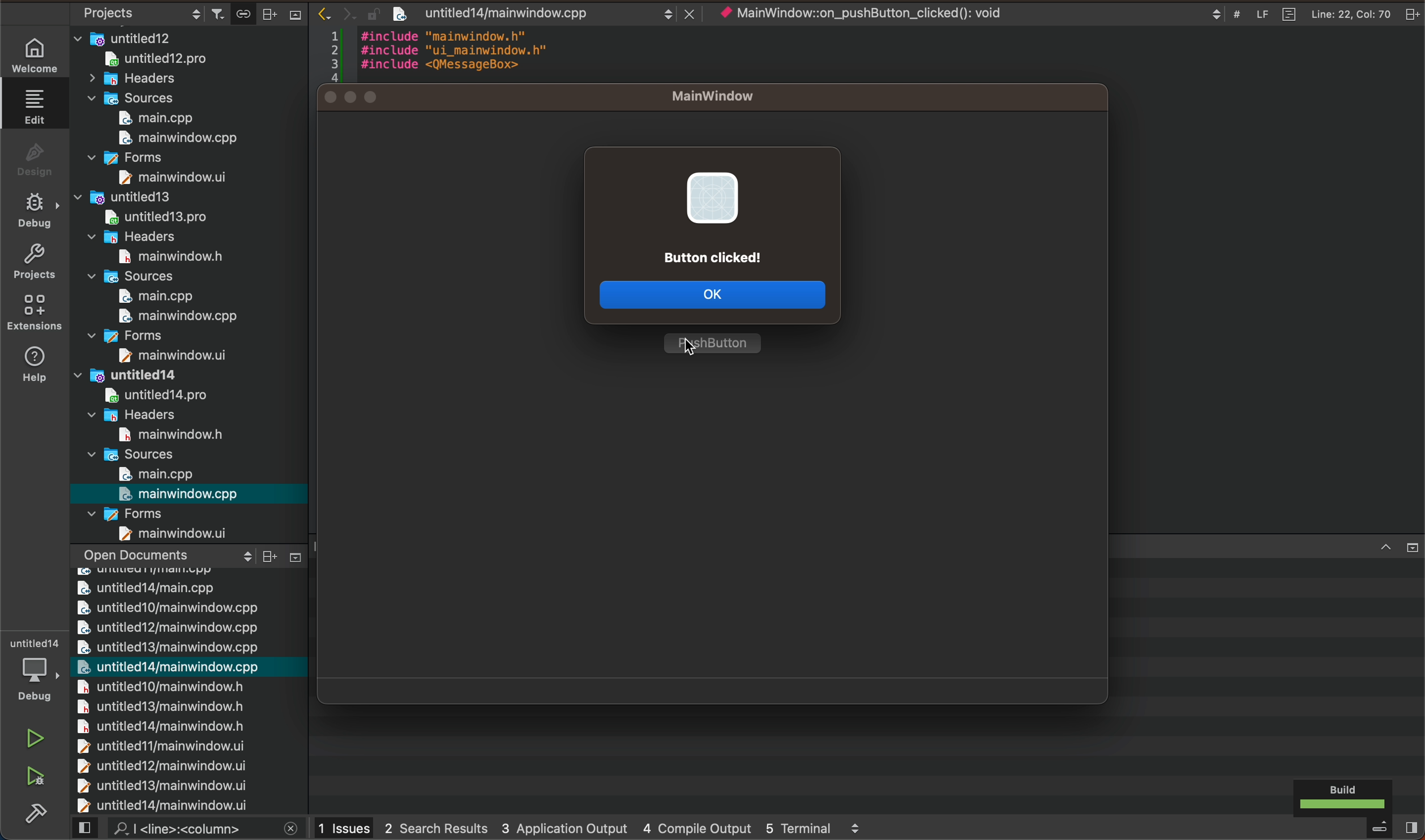 This screenshot has height=840, width=1425. I want to click on sources, so click(139, 276).